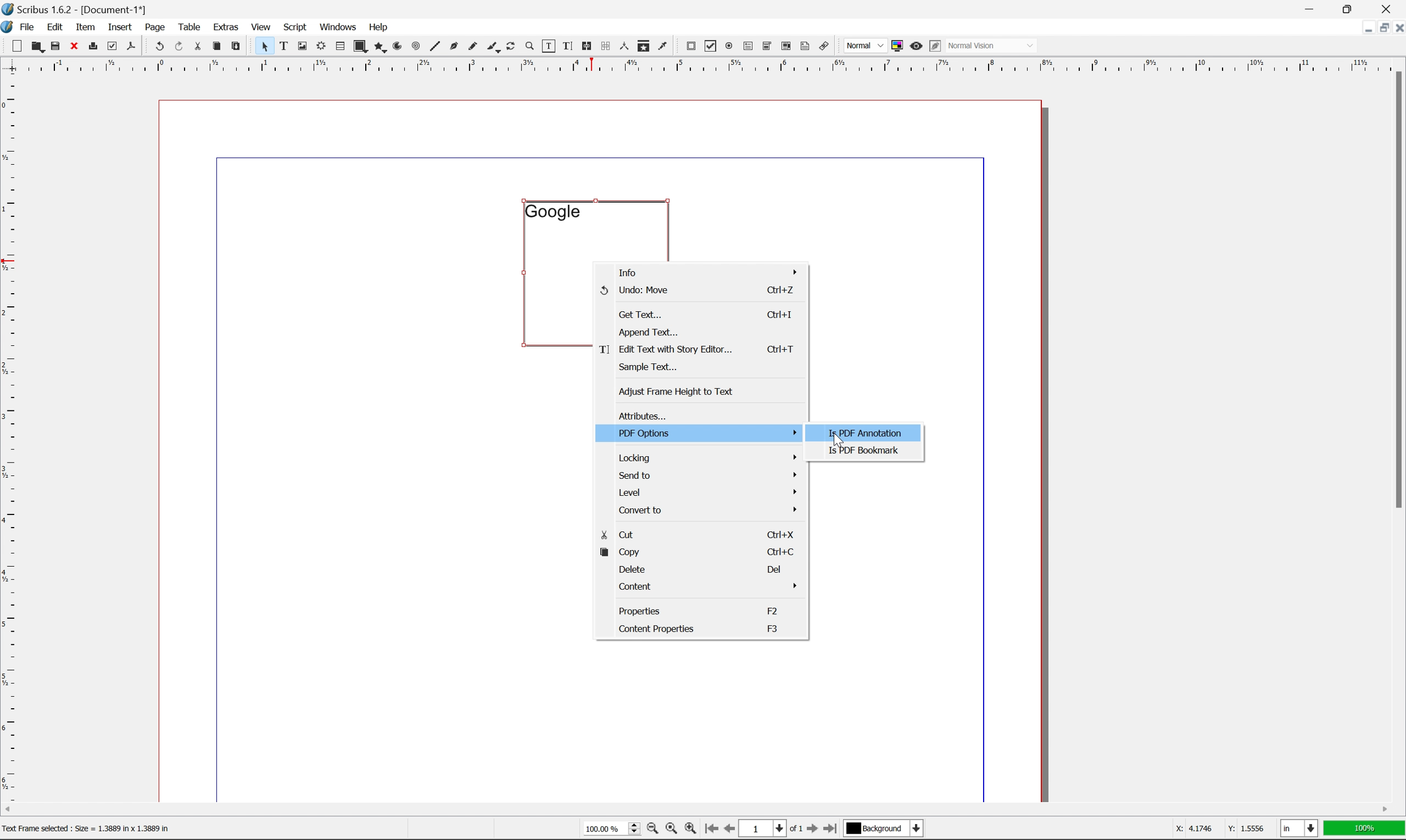  I want to click on go to next page, so click(809, 830).